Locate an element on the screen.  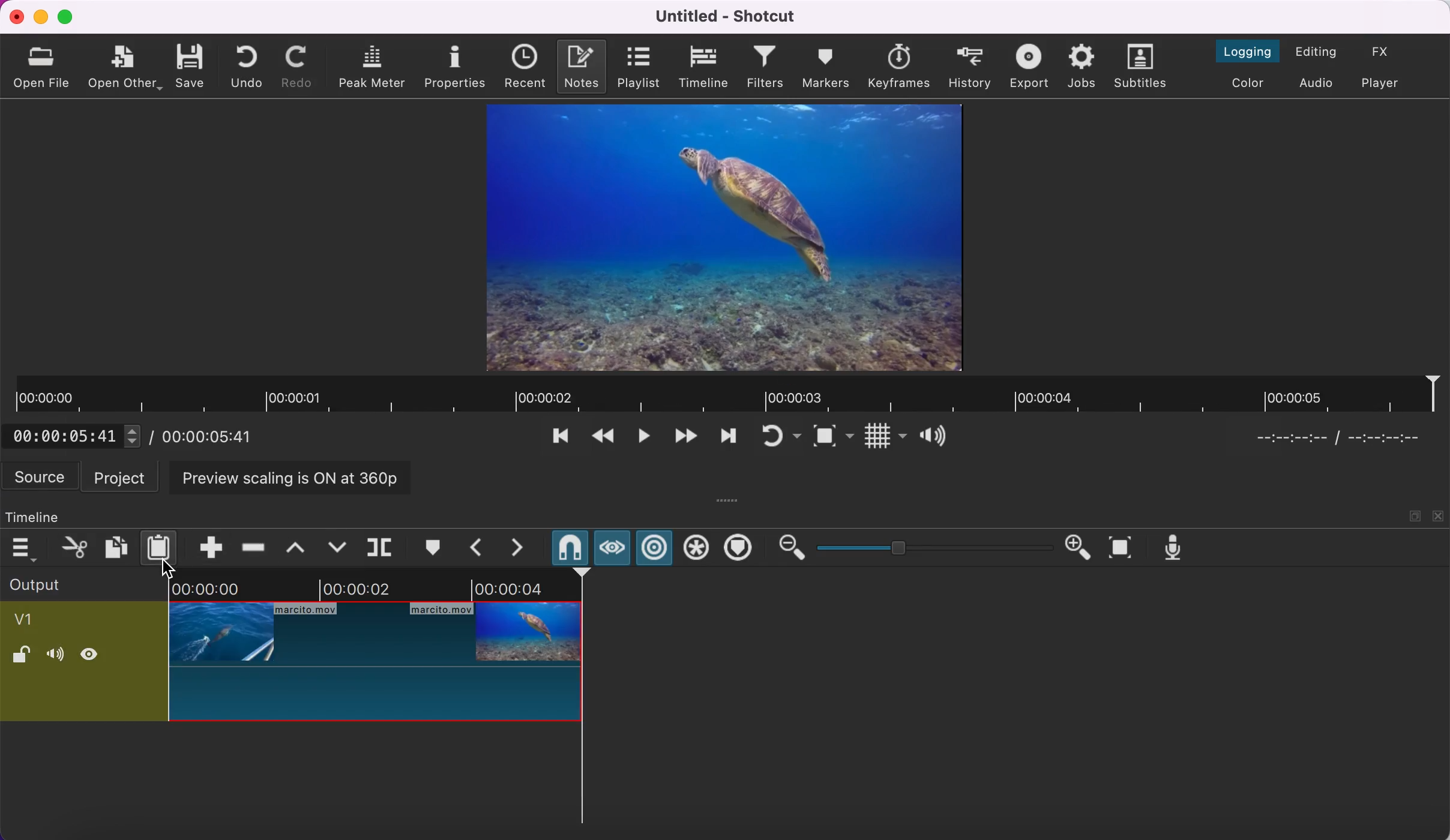
ripple is located at coordinates (655, 547).